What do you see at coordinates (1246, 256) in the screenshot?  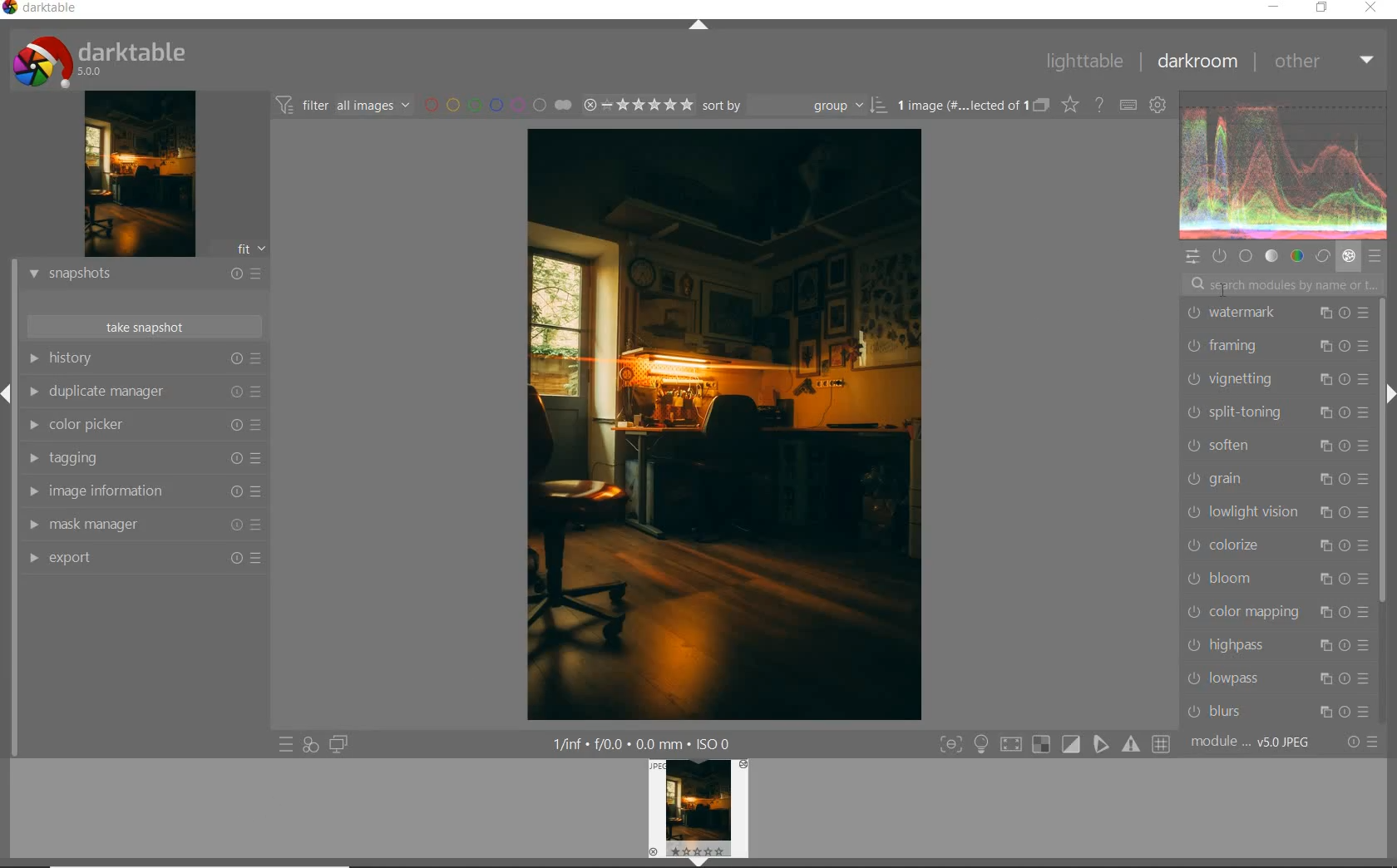 I see `base` at bounding box center [1246, 256].